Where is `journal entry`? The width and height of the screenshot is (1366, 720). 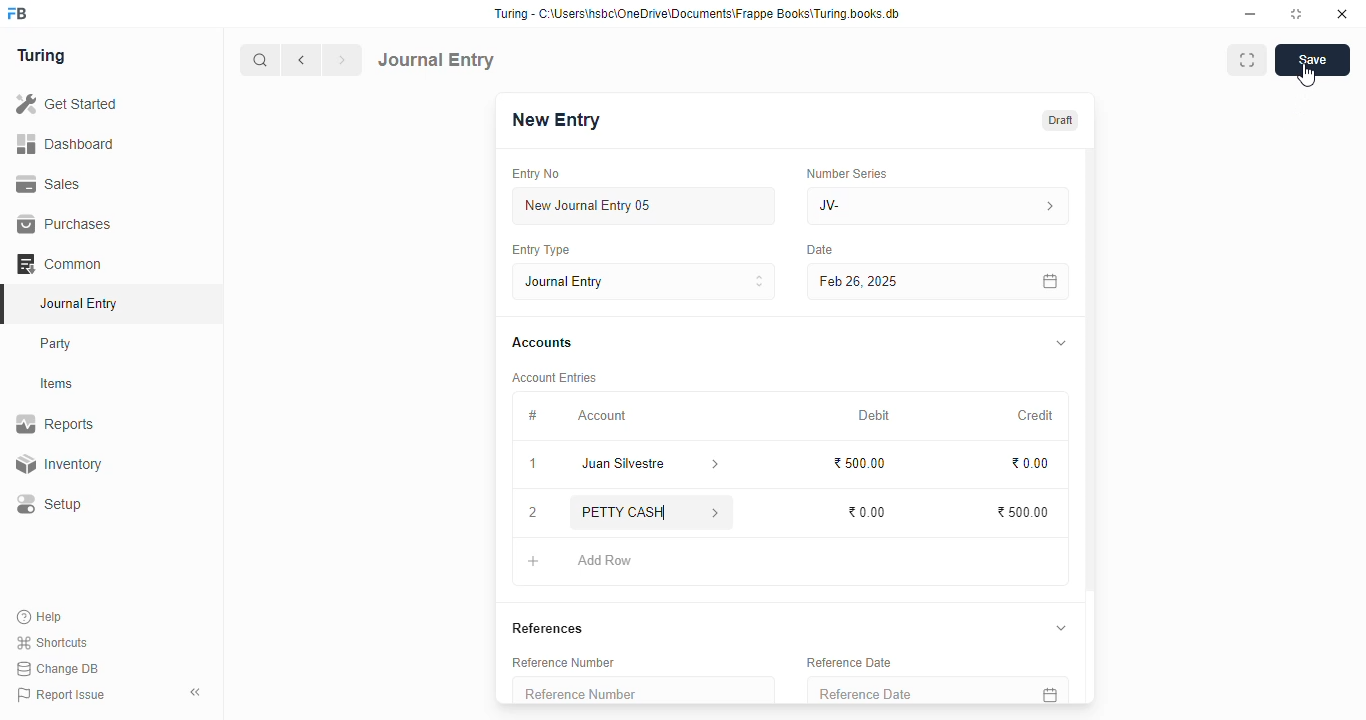
journal entry is located at coordinates (437, 59).